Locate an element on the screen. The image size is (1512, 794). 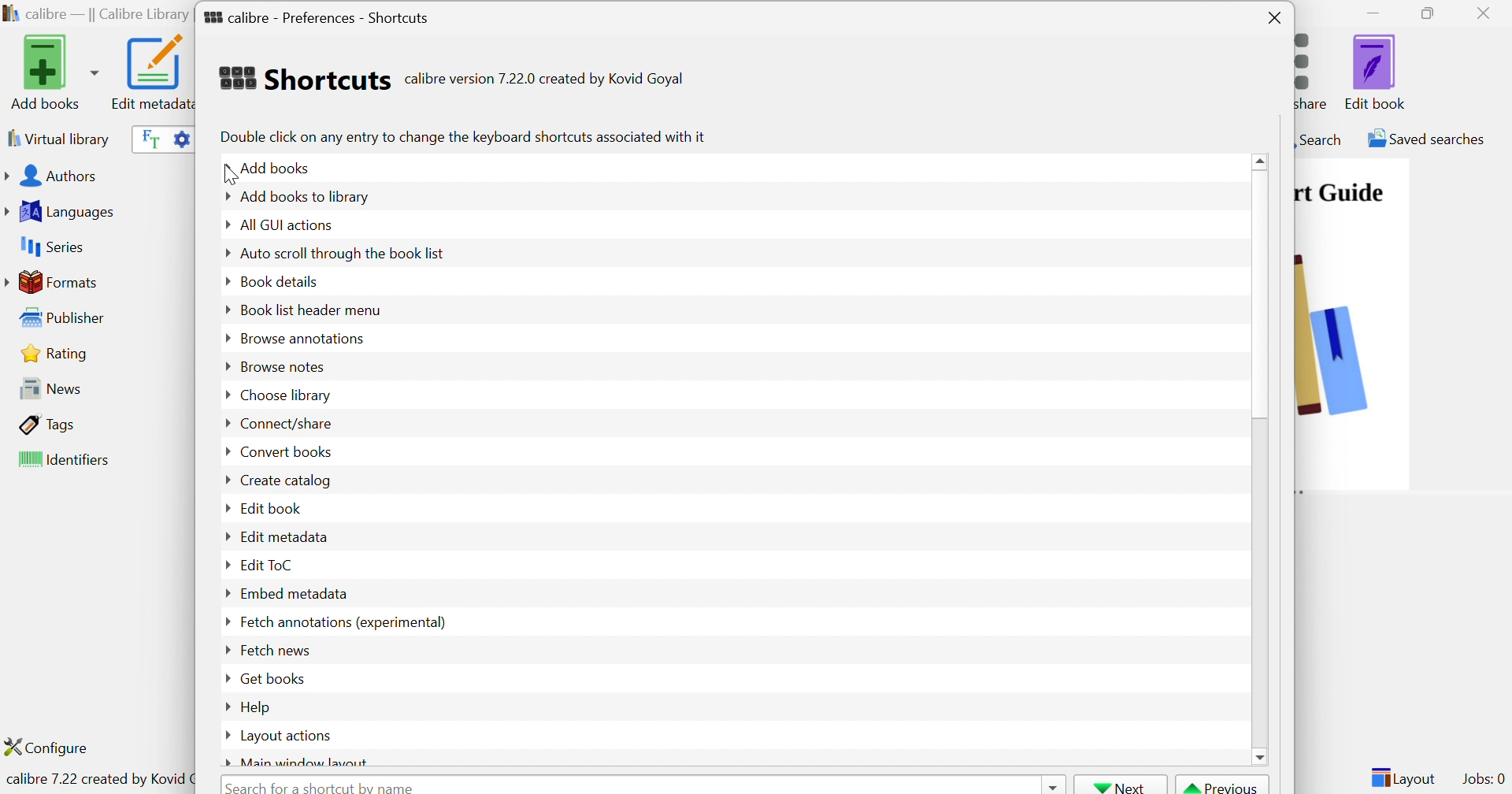
Add books is located at coordinates (279, 166).